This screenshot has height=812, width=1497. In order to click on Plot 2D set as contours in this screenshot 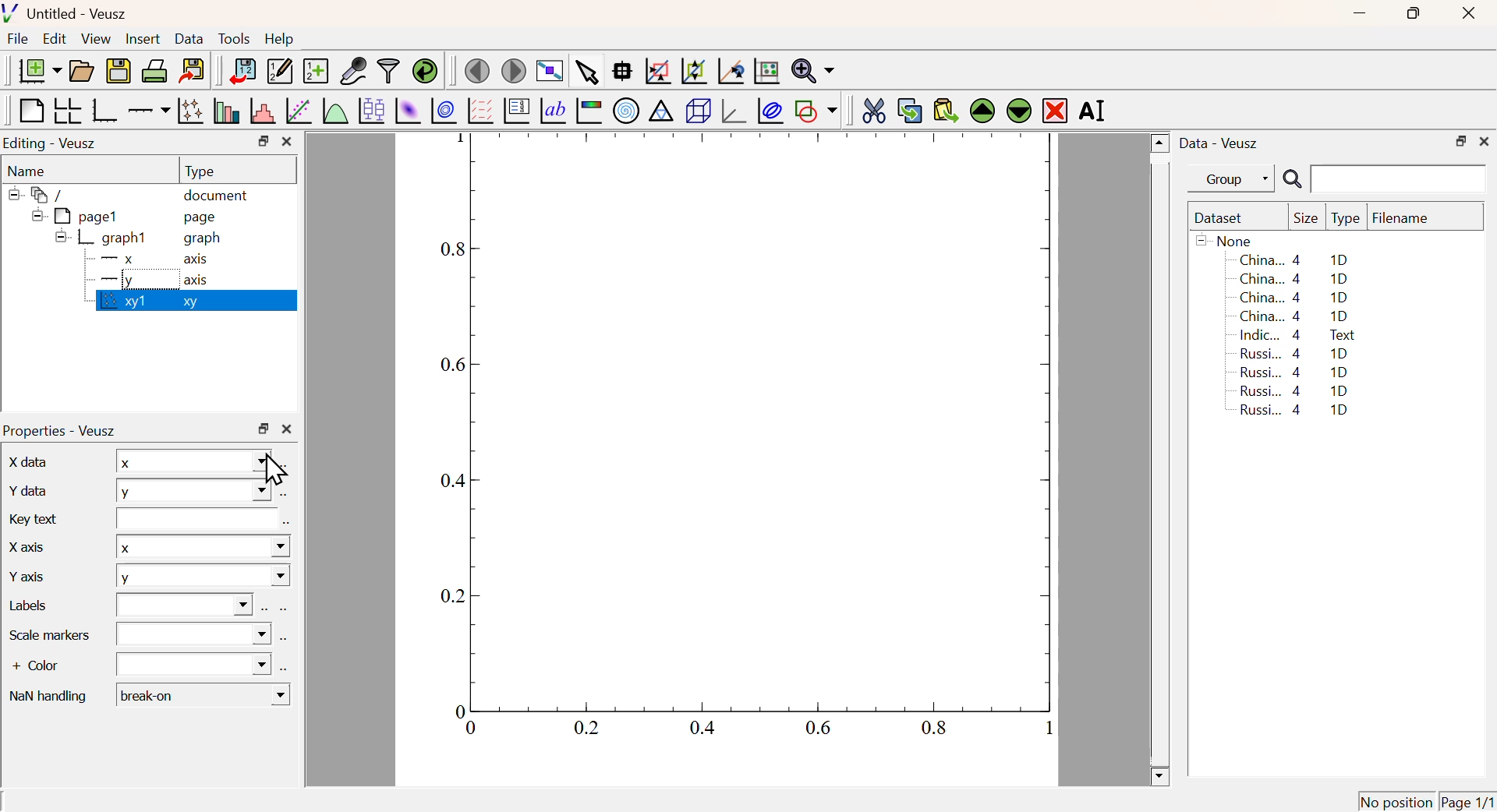, I will do `click(444, 111)`.